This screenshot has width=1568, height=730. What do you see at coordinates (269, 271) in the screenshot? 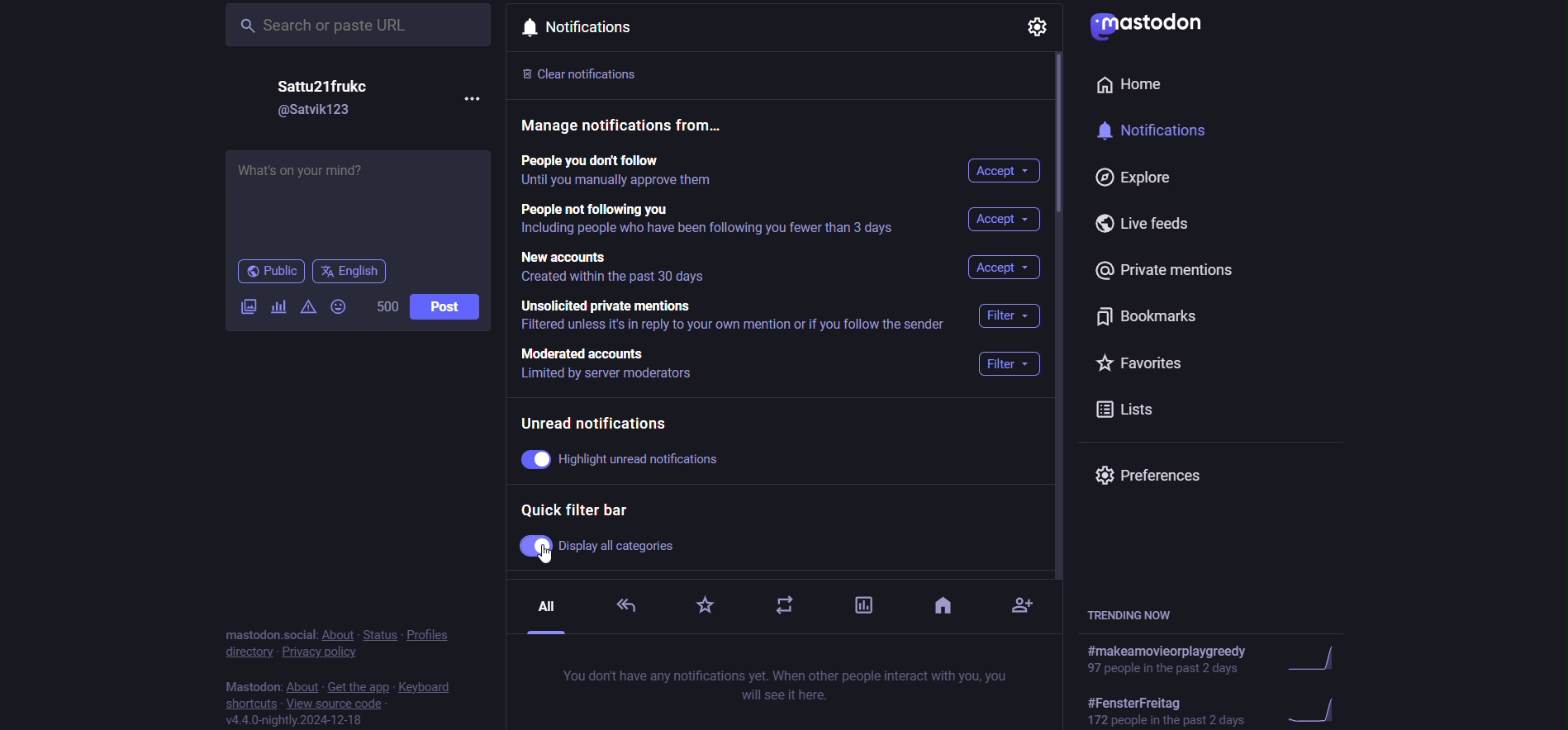
I see `public` at bounding box center [269, 271].